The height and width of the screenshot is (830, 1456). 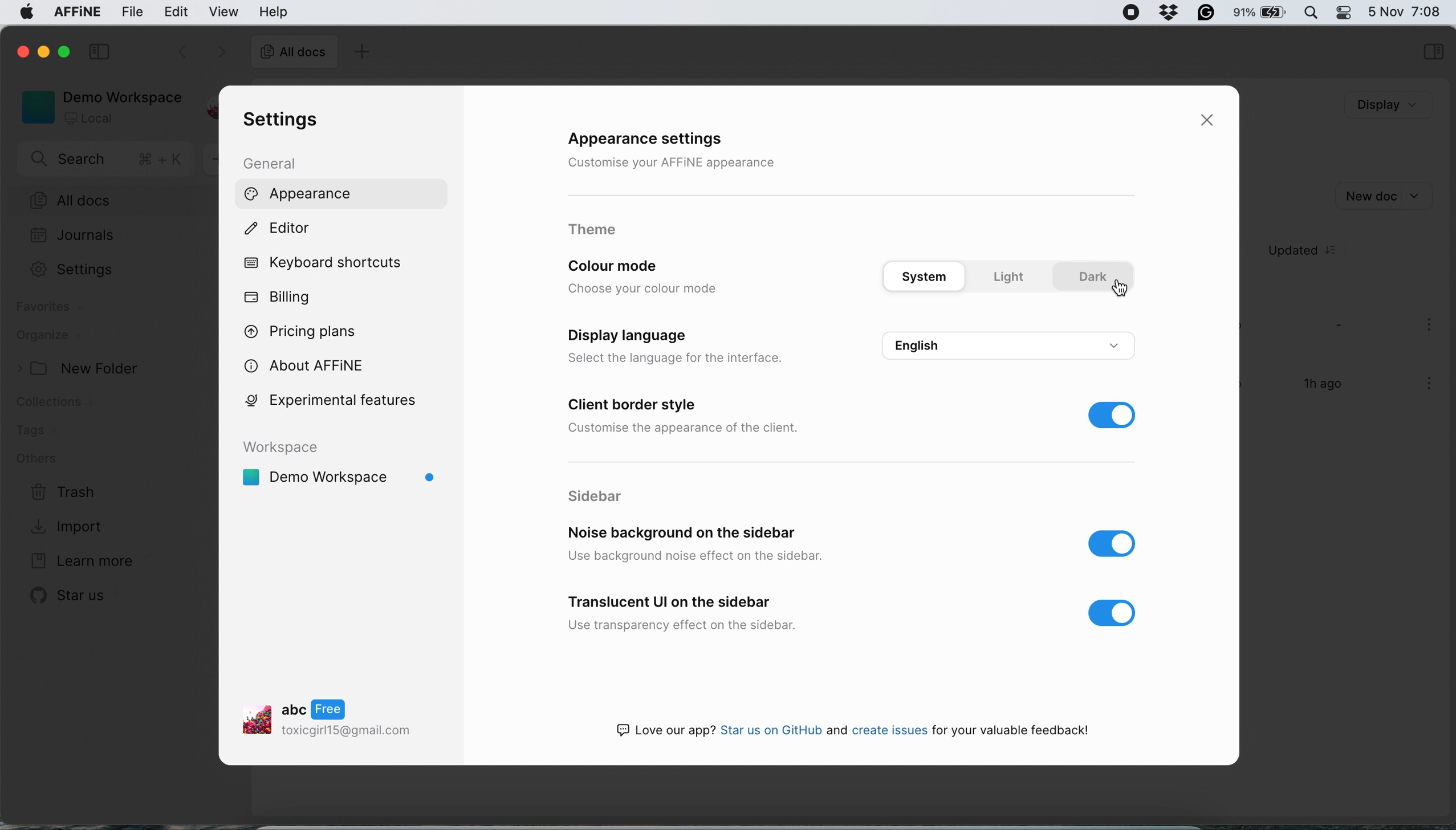 I want to click on edit, so click(x=180, y=11).